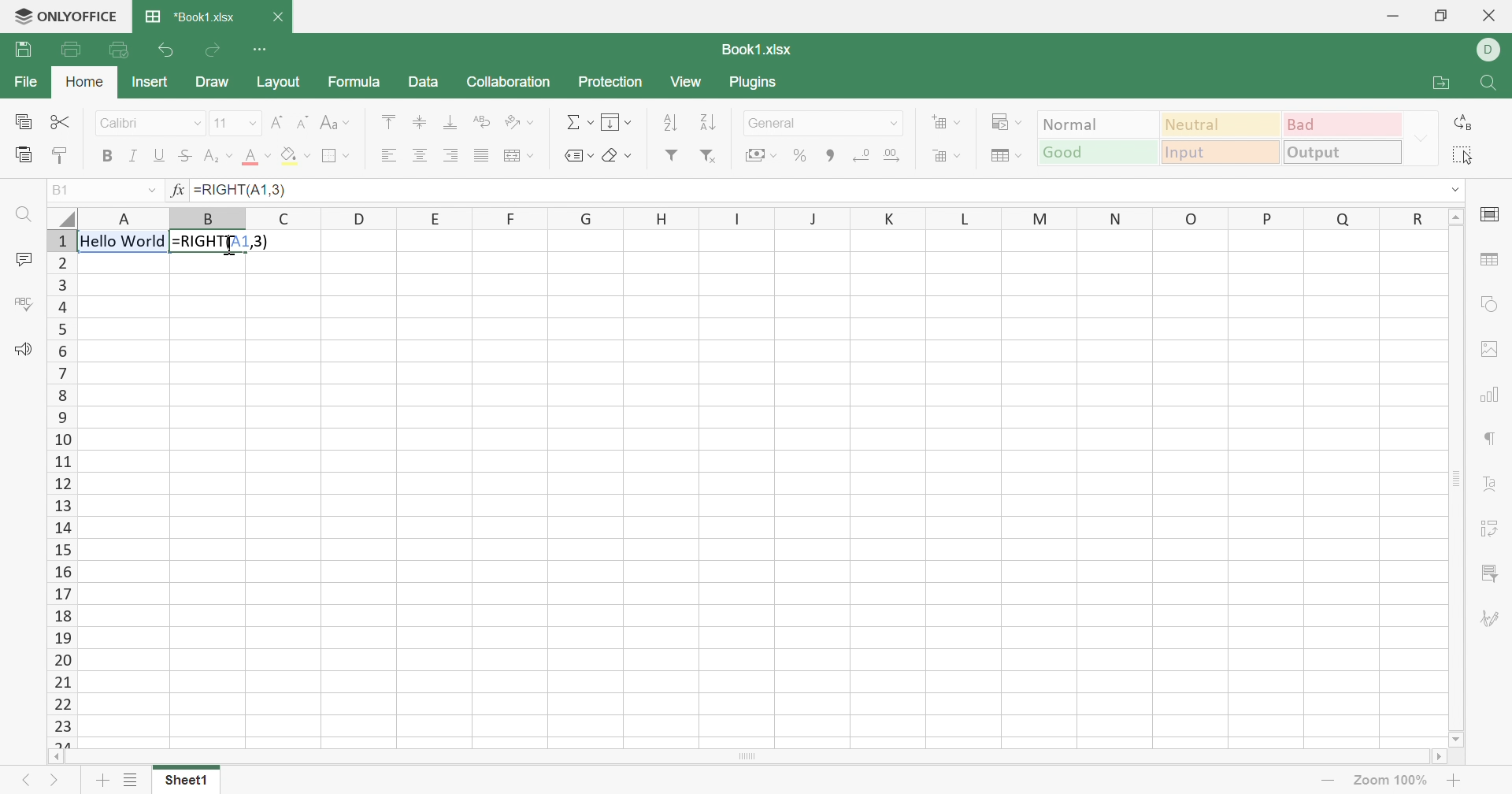  What do you see at coordinates (615, 157) in the screenshot?
I see `Clear` at bounding box center [615, 157].